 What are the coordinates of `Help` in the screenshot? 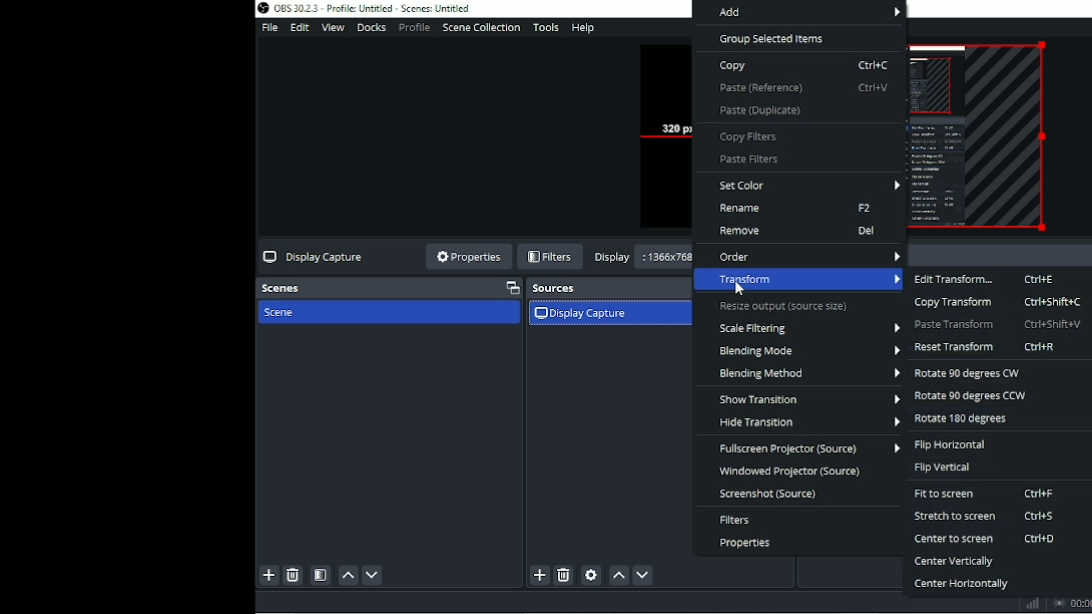 It's located at (583, 27).